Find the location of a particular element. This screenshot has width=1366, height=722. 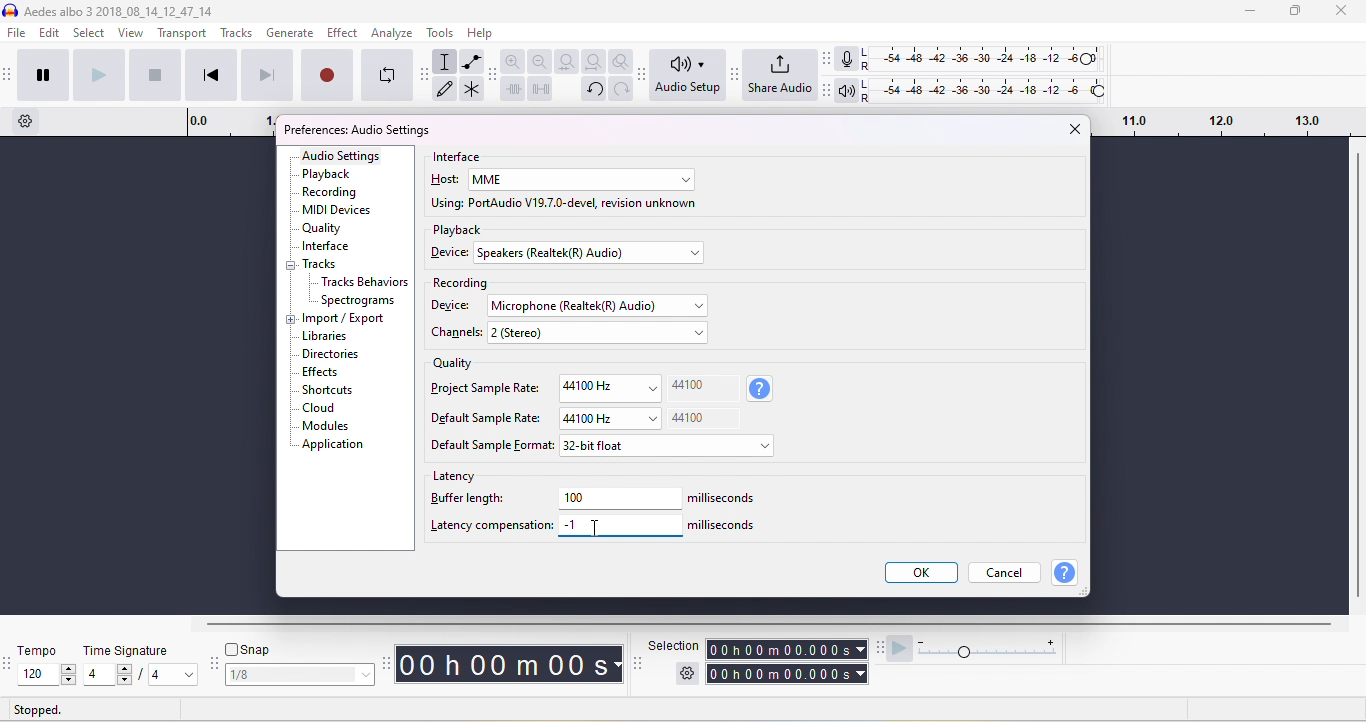

L is located at coordinates (867, 52).